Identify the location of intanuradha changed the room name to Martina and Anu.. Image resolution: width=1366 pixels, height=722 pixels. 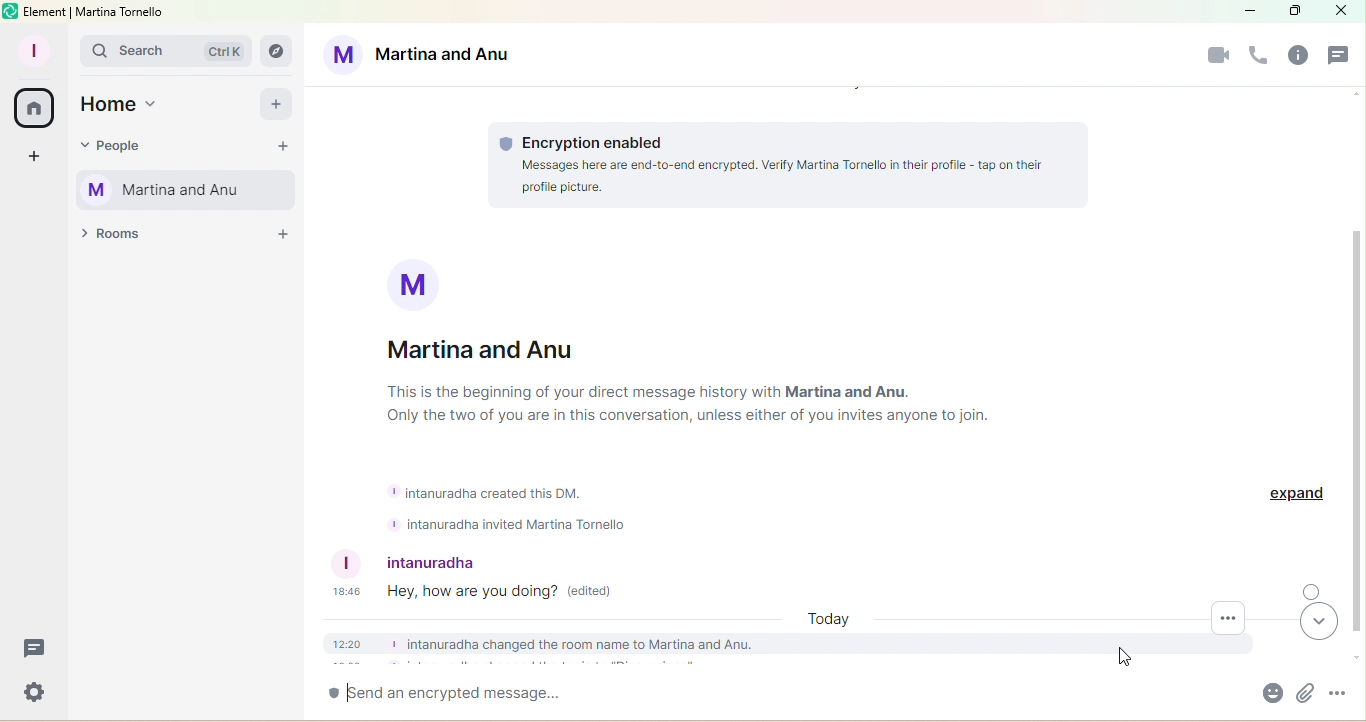
(580, 645).